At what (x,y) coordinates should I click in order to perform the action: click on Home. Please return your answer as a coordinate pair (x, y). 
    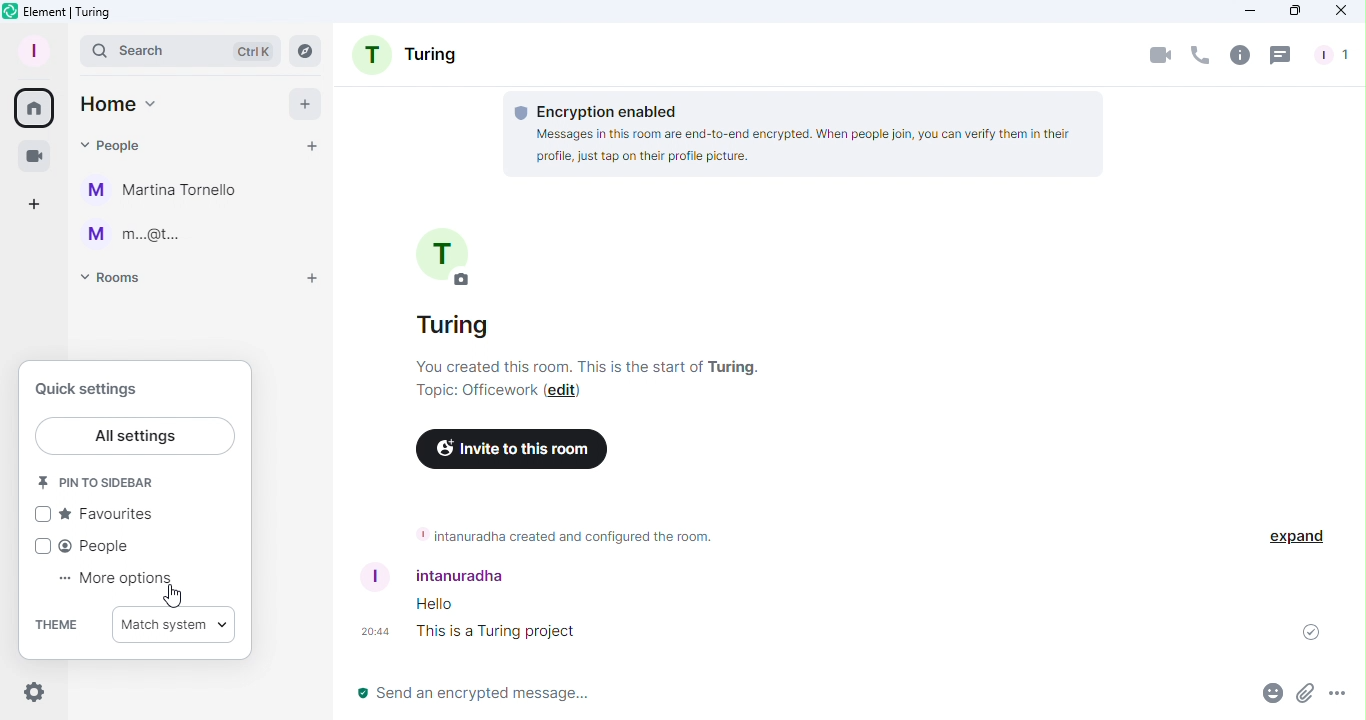
    Looking at the image, I should click on (120, 104).